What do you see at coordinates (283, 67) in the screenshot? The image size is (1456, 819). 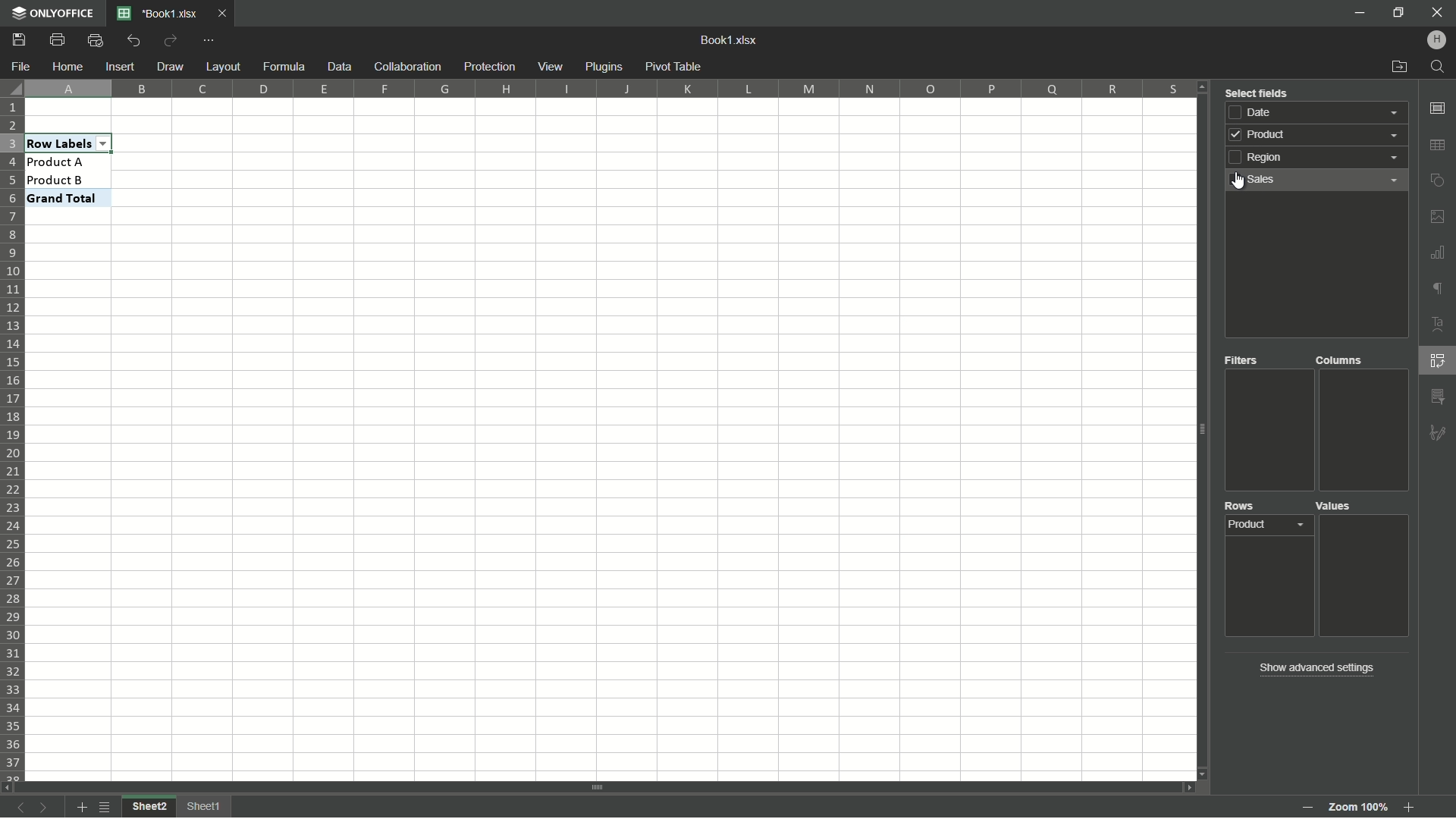 I see `Formula` at bounding box center [283, 67].